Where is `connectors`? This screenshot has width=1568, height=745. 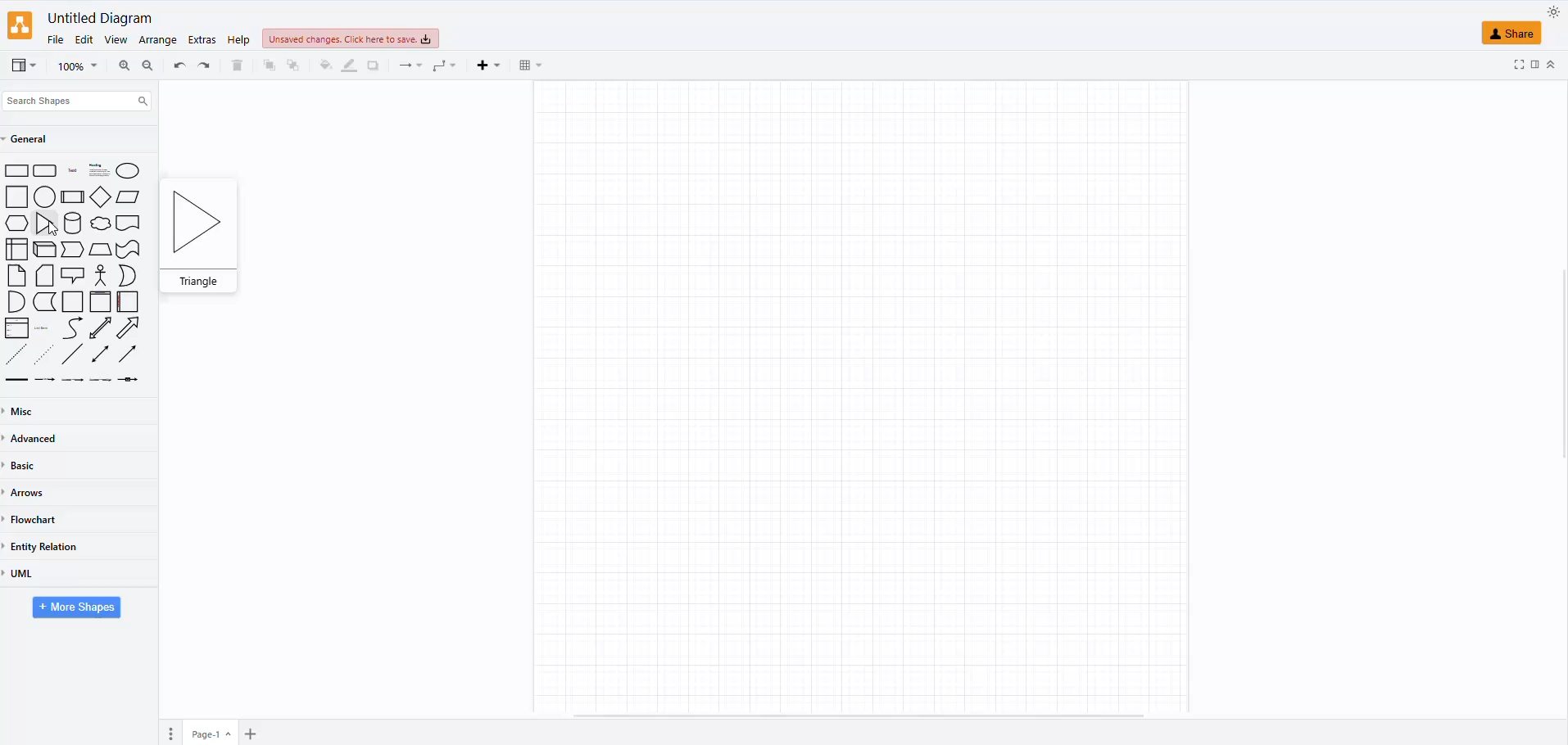 connectors is located at coordinates (405, 66).